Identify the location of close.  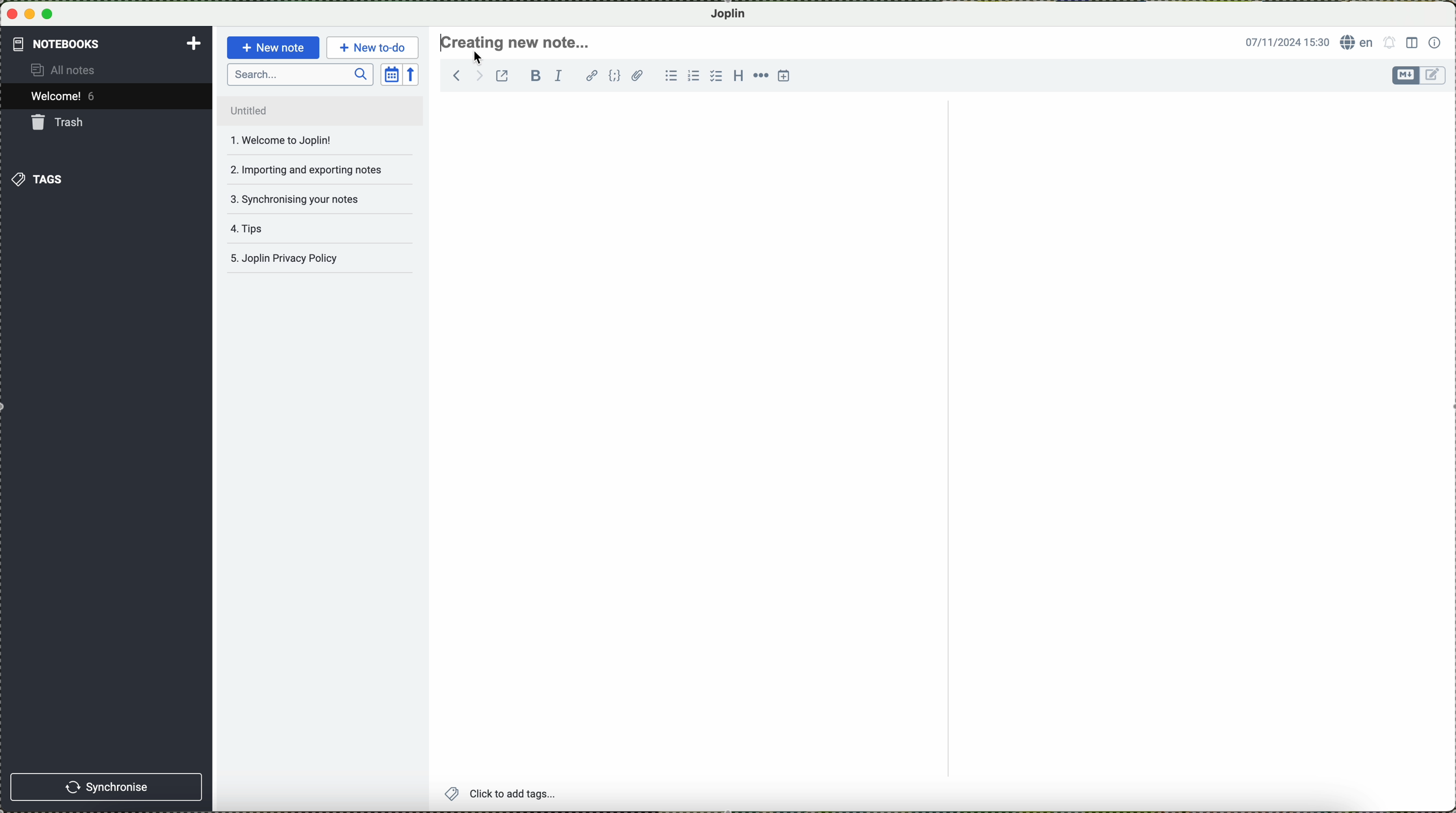
(11, 15).